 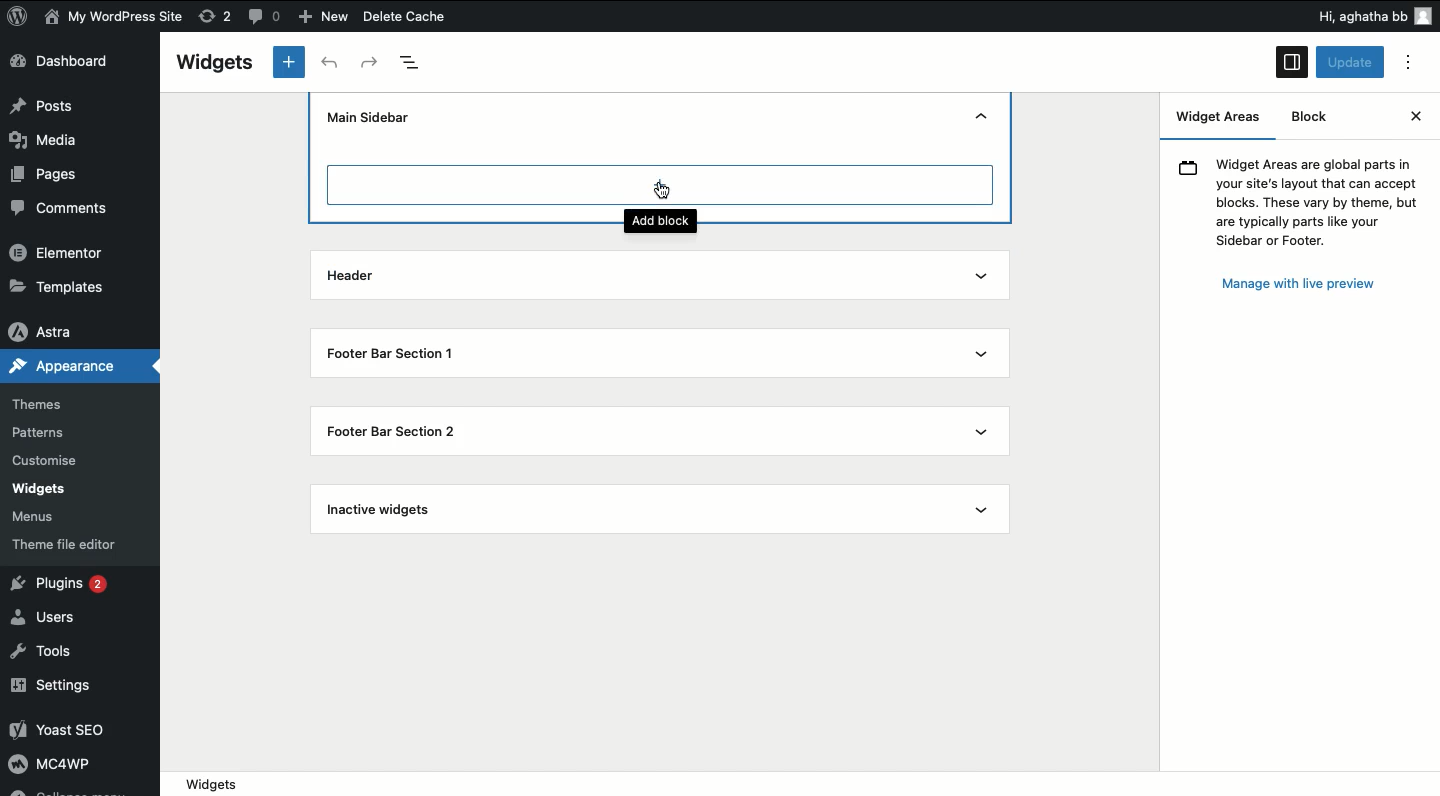 I want to click on Widget areas, so click(x=1223, y=120).